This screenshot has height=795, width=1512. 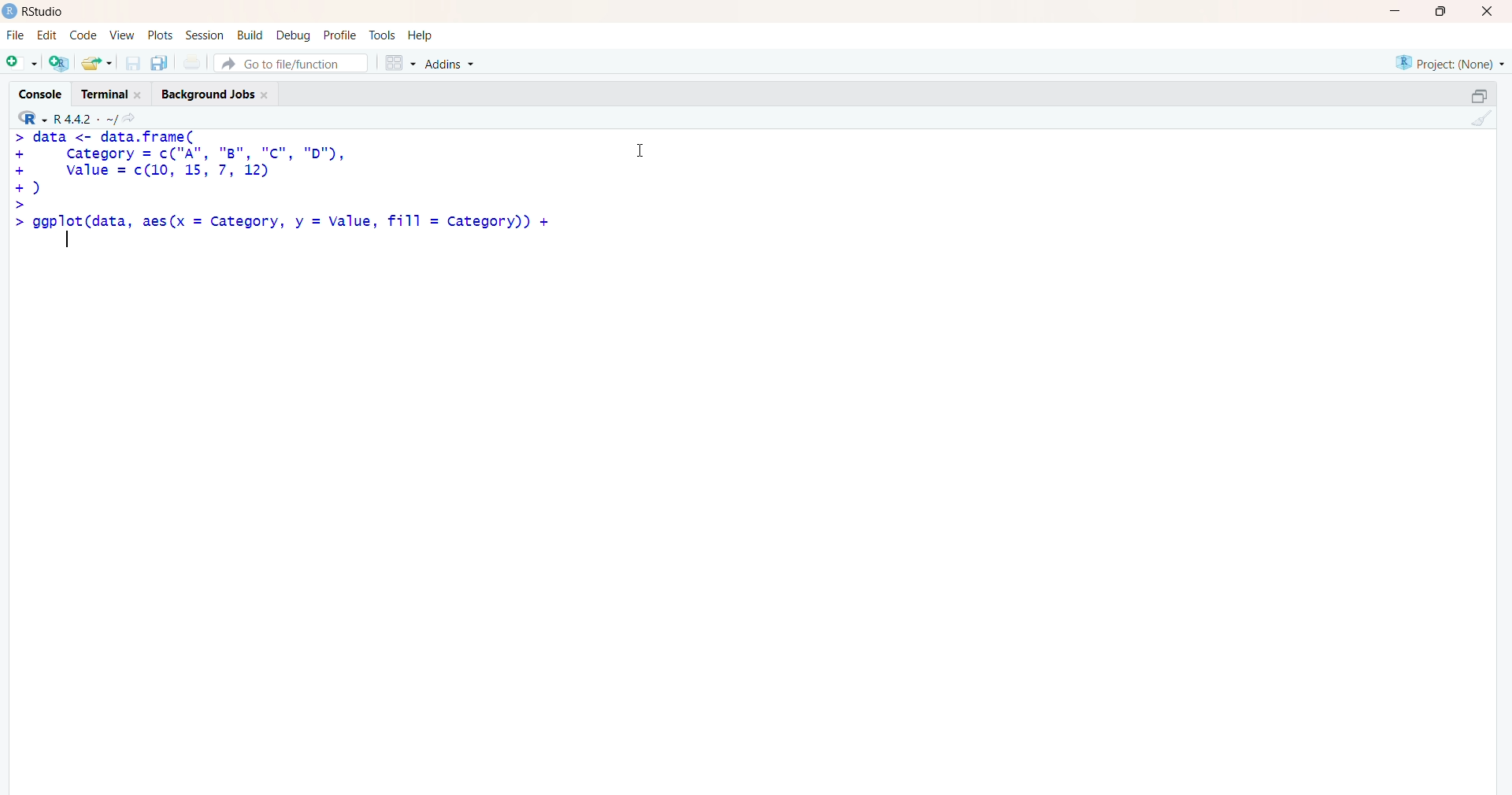 I want to click on save current document, so click(x=132, y=63).